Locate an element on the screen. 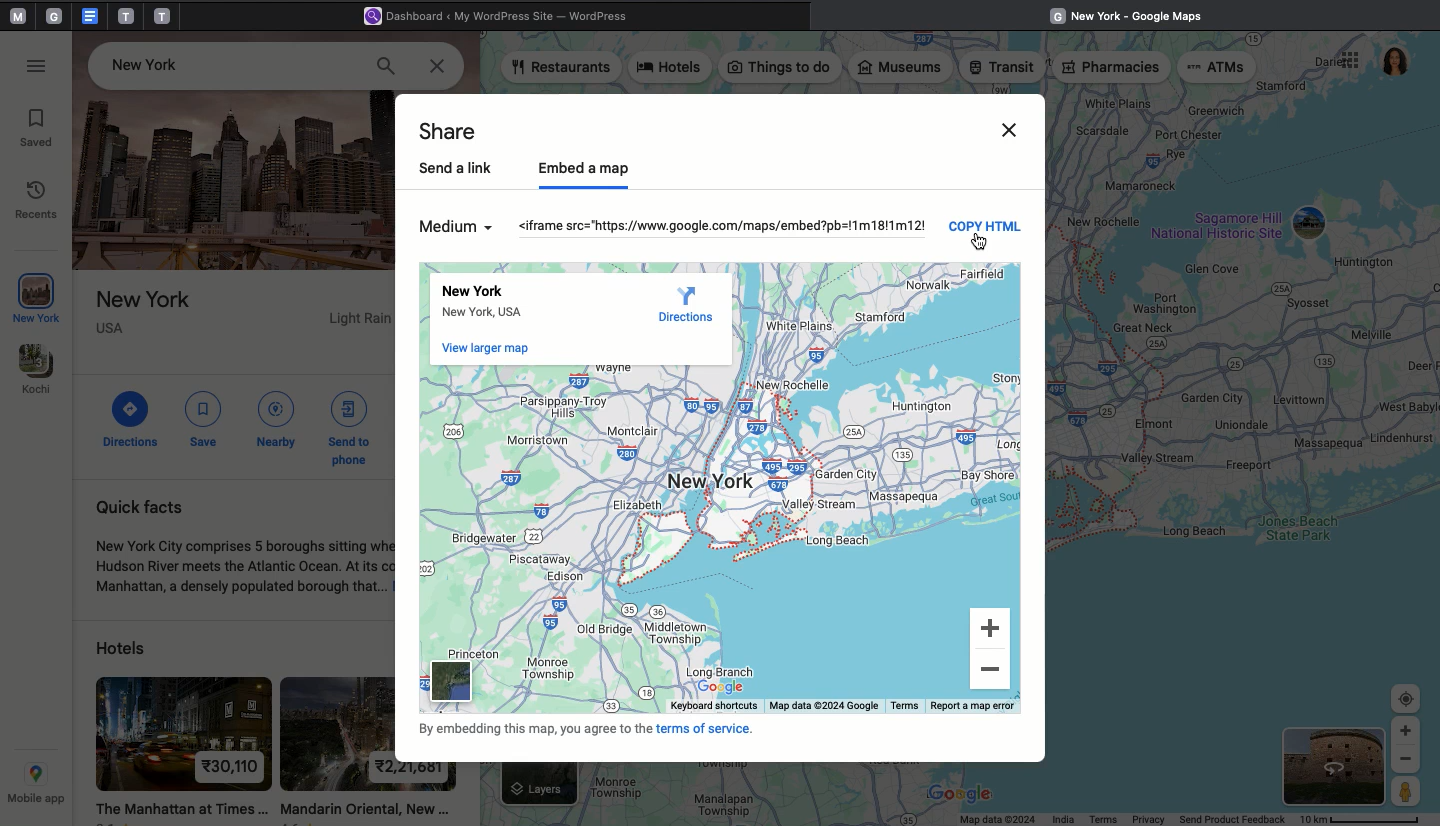 This screenshot has width=1440, height=826. Terms of service is located at coordinates (607, 728).